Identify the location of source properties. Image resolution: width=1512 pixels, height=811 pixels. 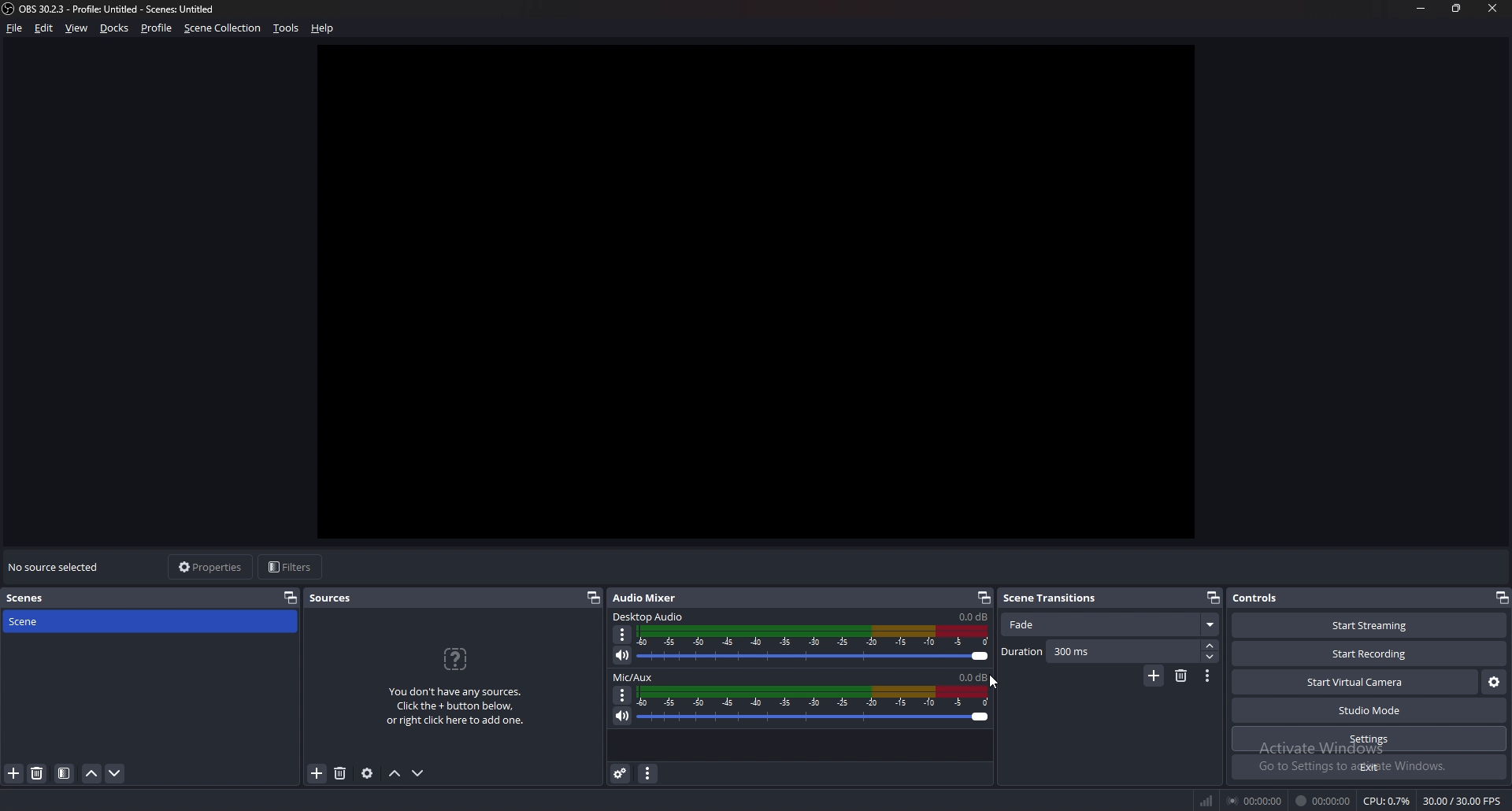
(366, 774).